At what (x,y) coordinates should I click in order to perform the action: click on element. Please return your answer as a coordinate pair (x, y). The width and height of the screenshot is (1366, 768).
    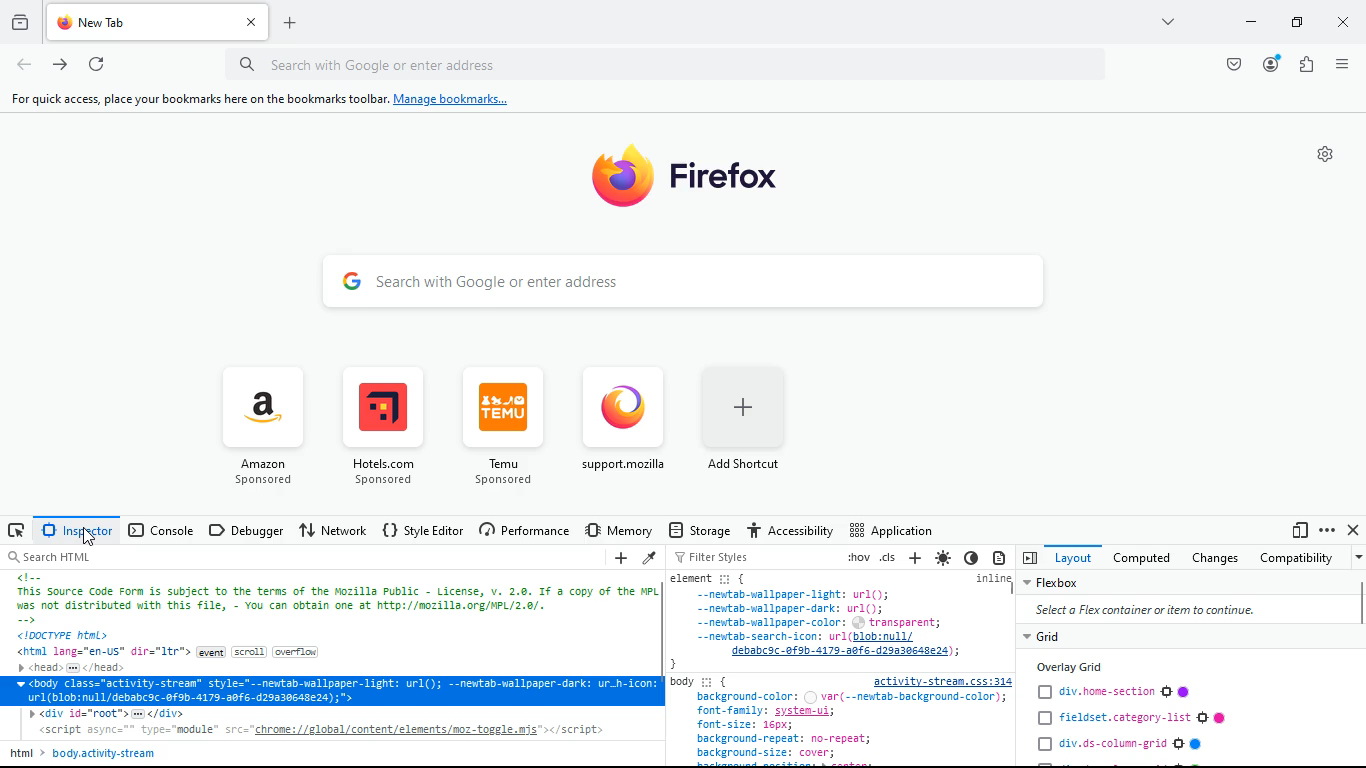
    Looking at the image, I should click on (689, 578).